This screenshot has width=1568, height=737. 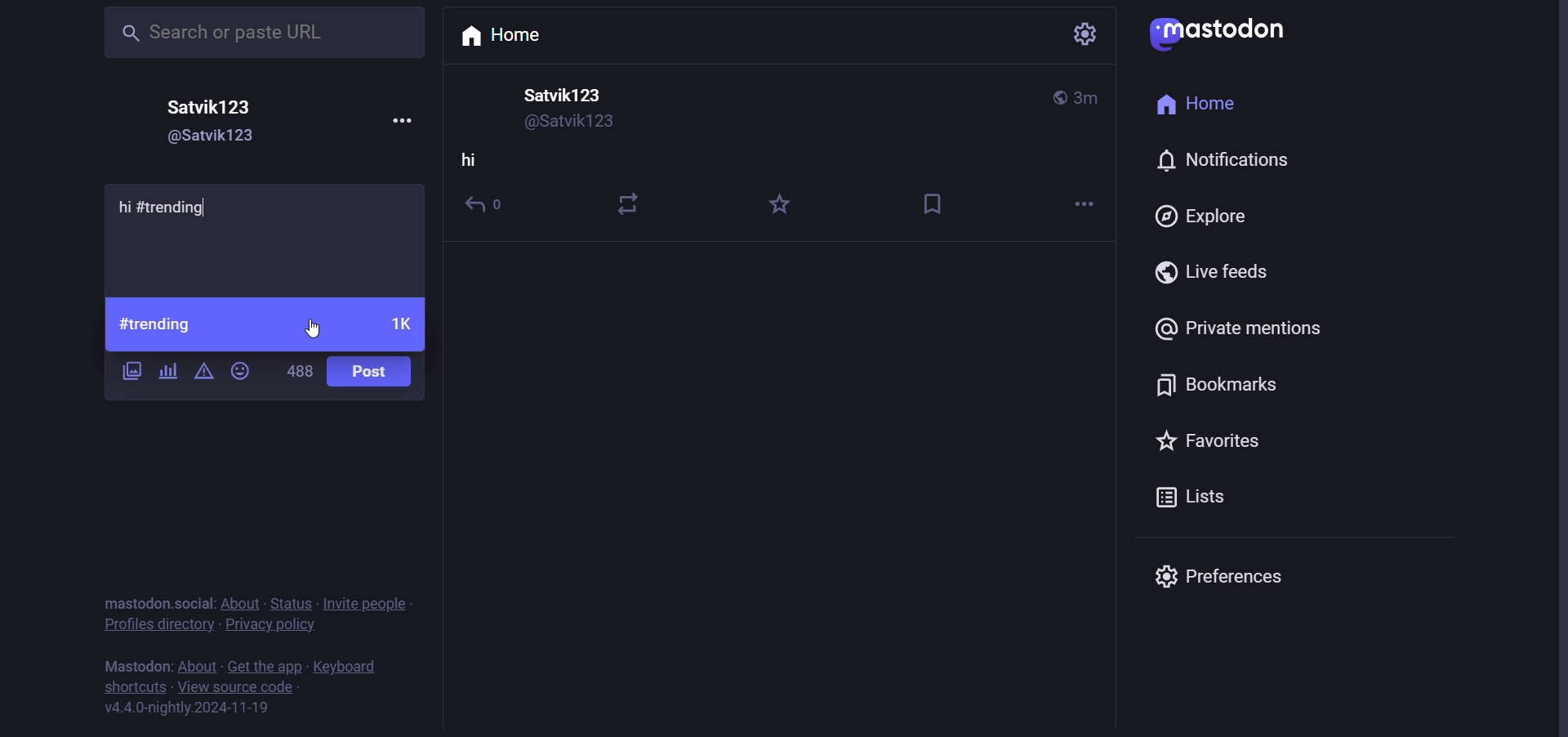 I want to click on home, so click(x=510, y=34).